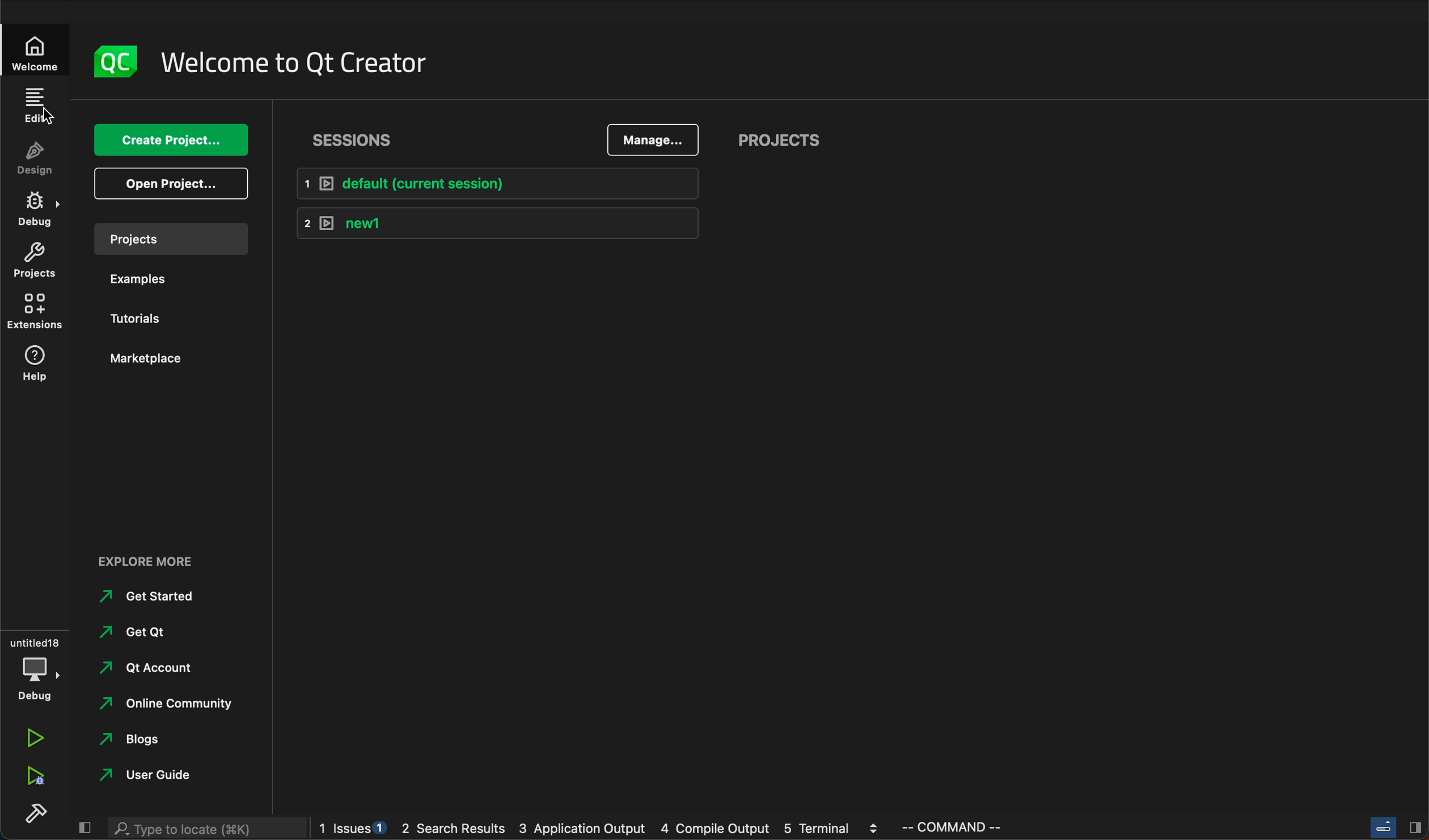 Image resolution: width=1429 pixels, height=840 pixels. I want to click on account, so click(151, 669).